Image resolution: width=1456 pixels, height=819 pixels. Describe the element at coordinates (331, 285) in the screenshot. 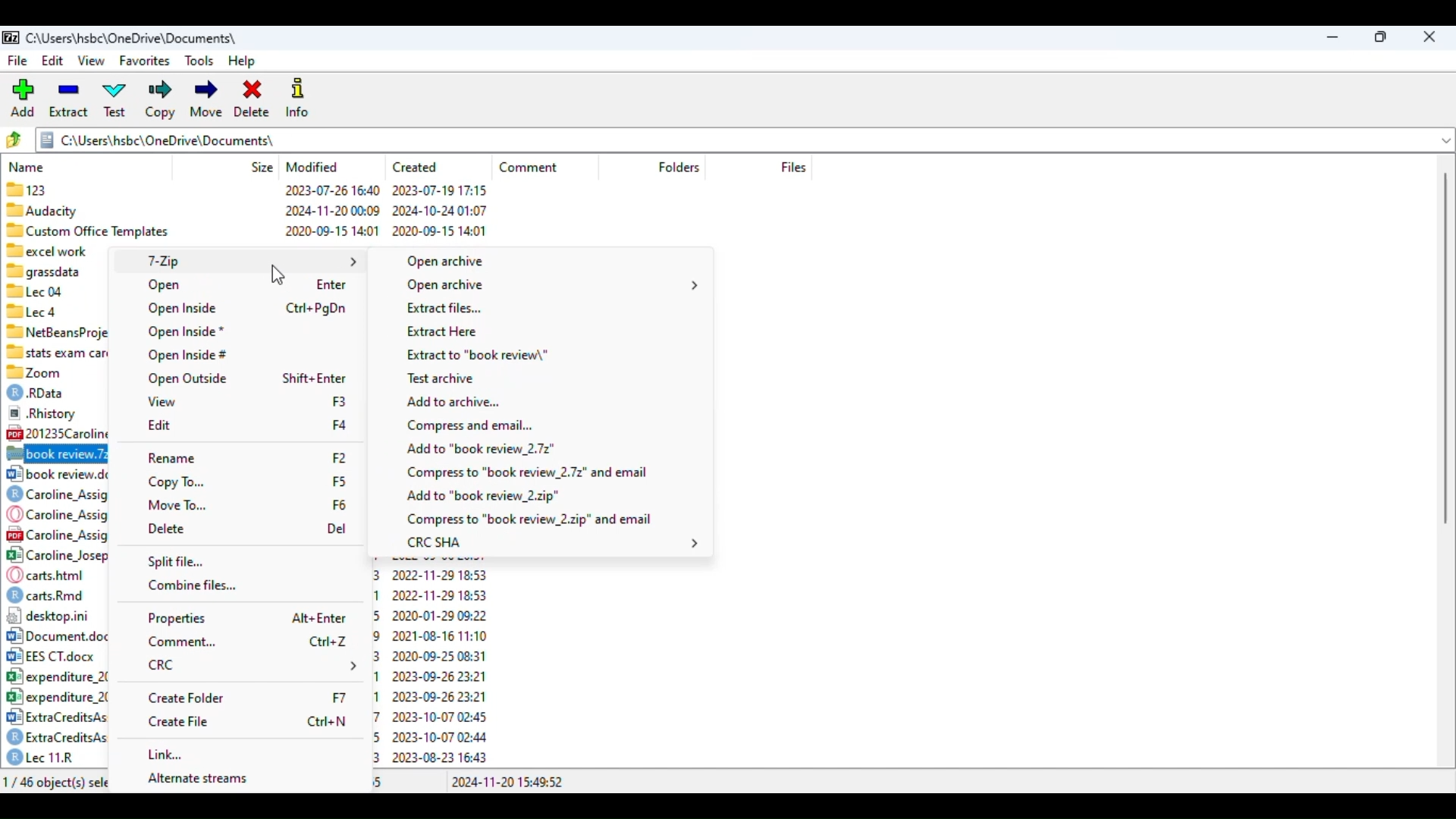

I see `shortcut for open` at that location.